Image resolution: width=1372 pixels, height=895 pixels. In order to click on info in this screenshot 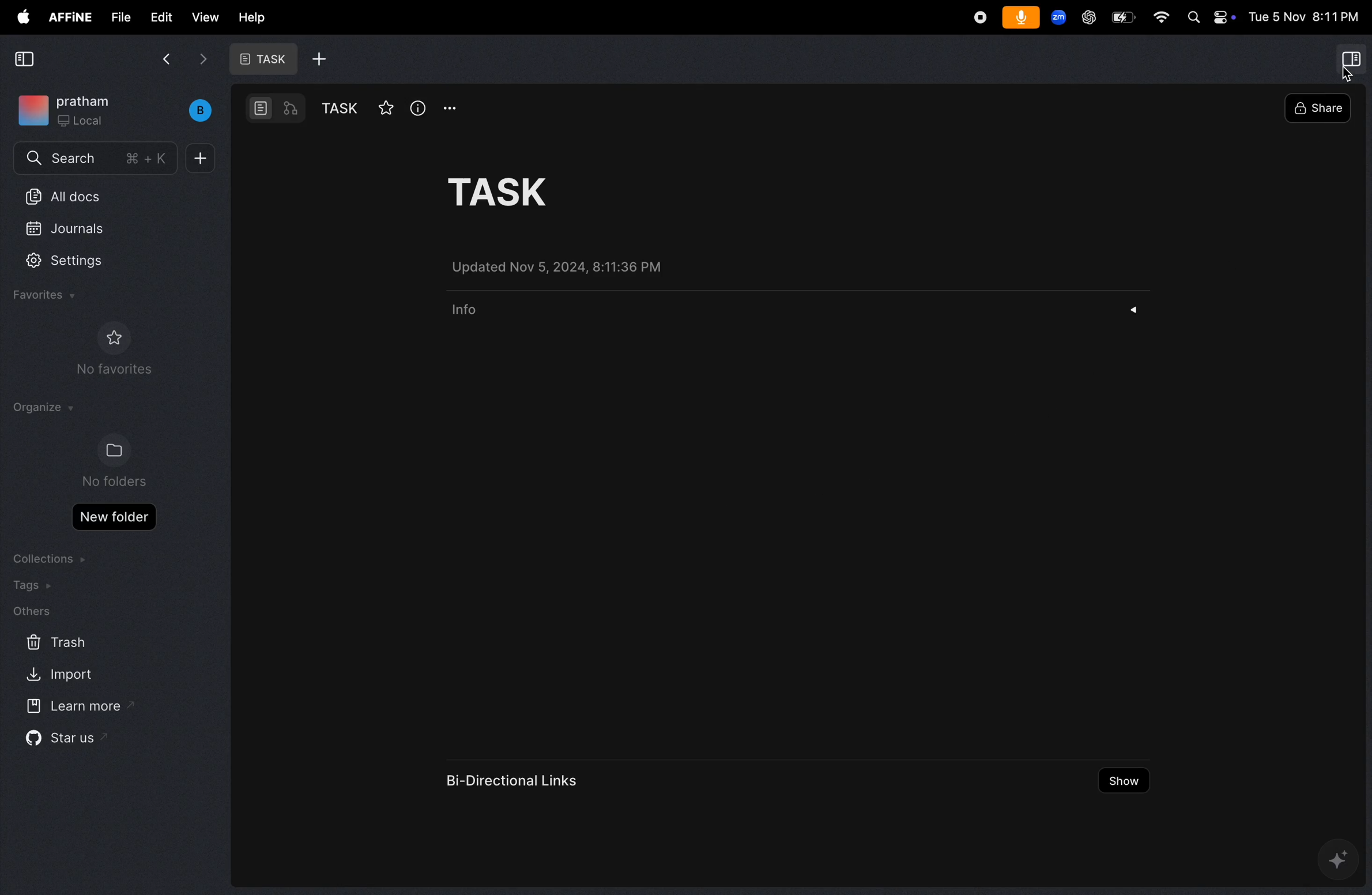, I will do `click(418, 108)`.